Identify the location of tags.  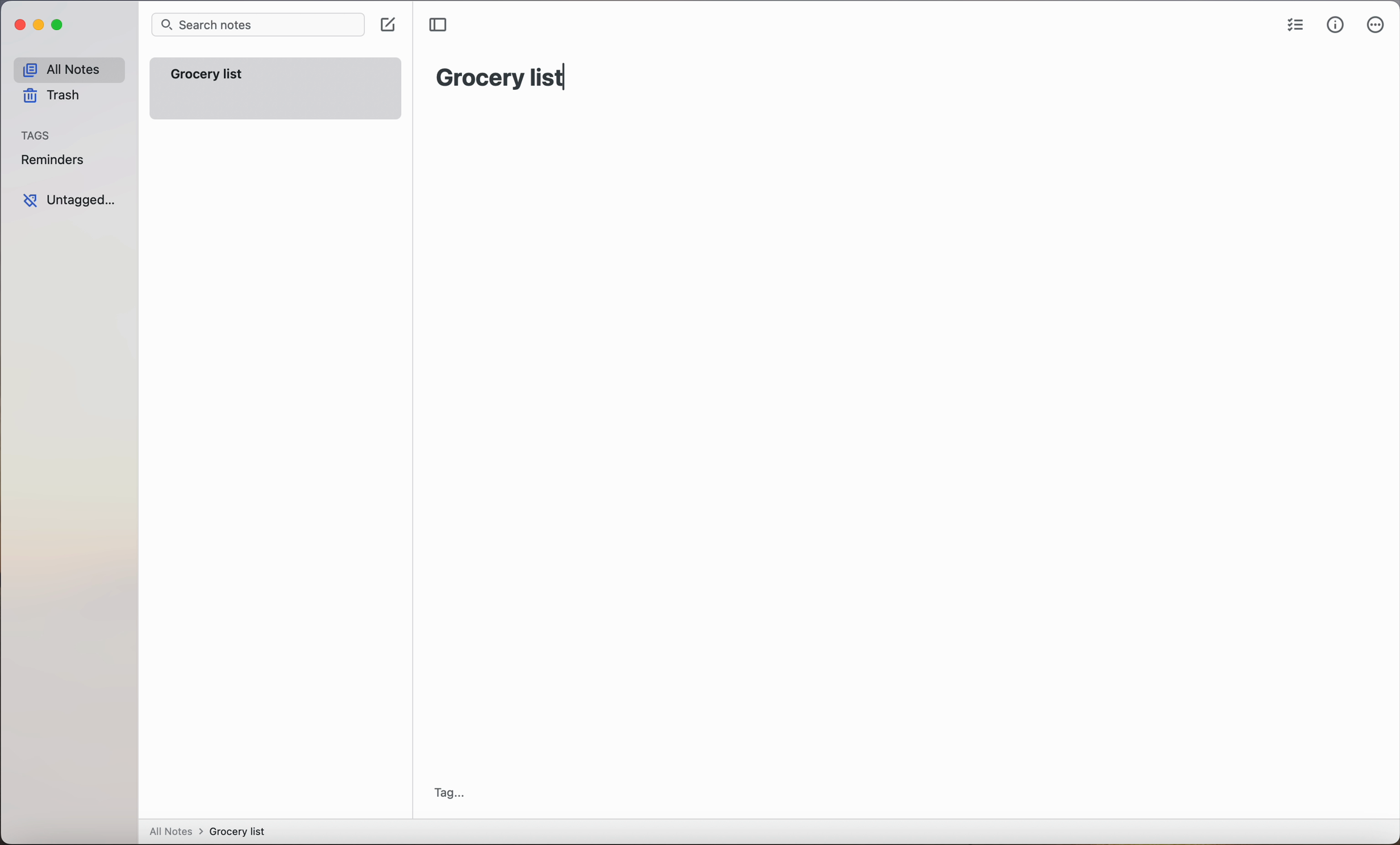
(37, 136).